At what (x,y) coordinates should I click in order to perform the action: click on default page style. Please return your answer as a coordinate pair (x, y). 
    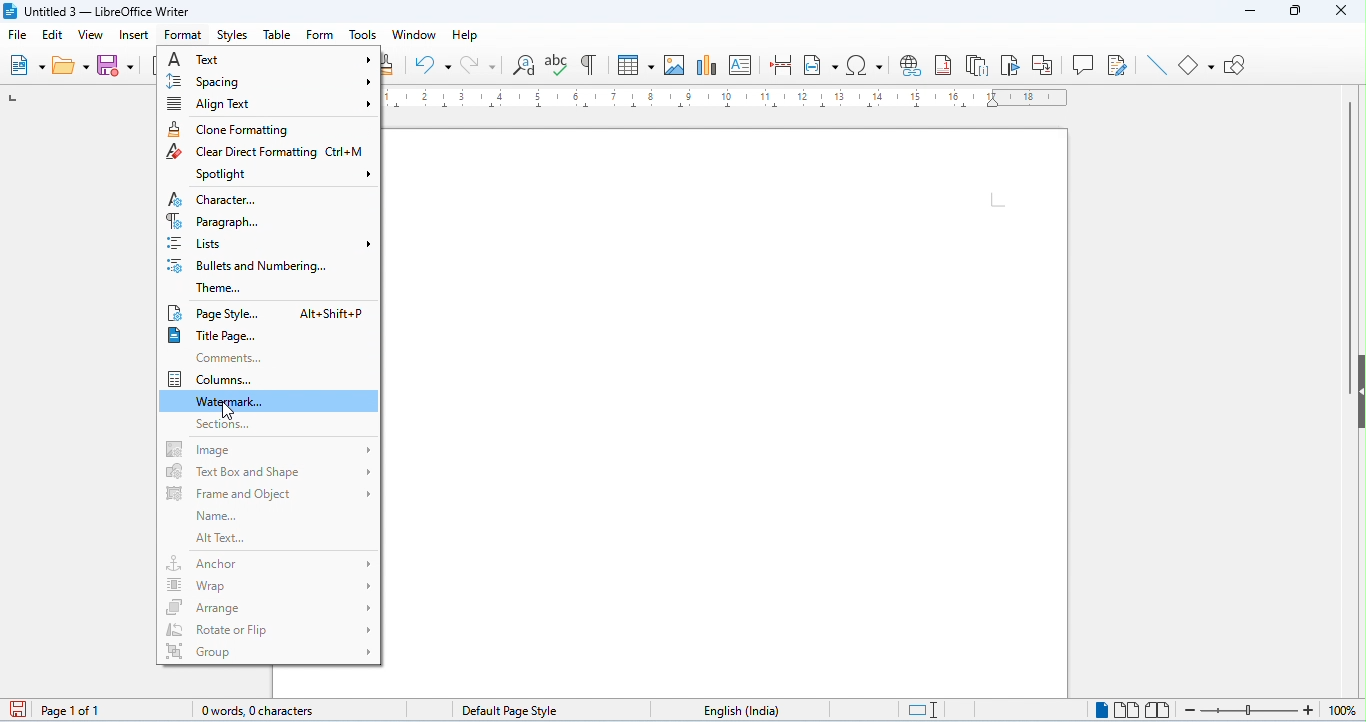
    Looking at the image, I should click on (499, 708).